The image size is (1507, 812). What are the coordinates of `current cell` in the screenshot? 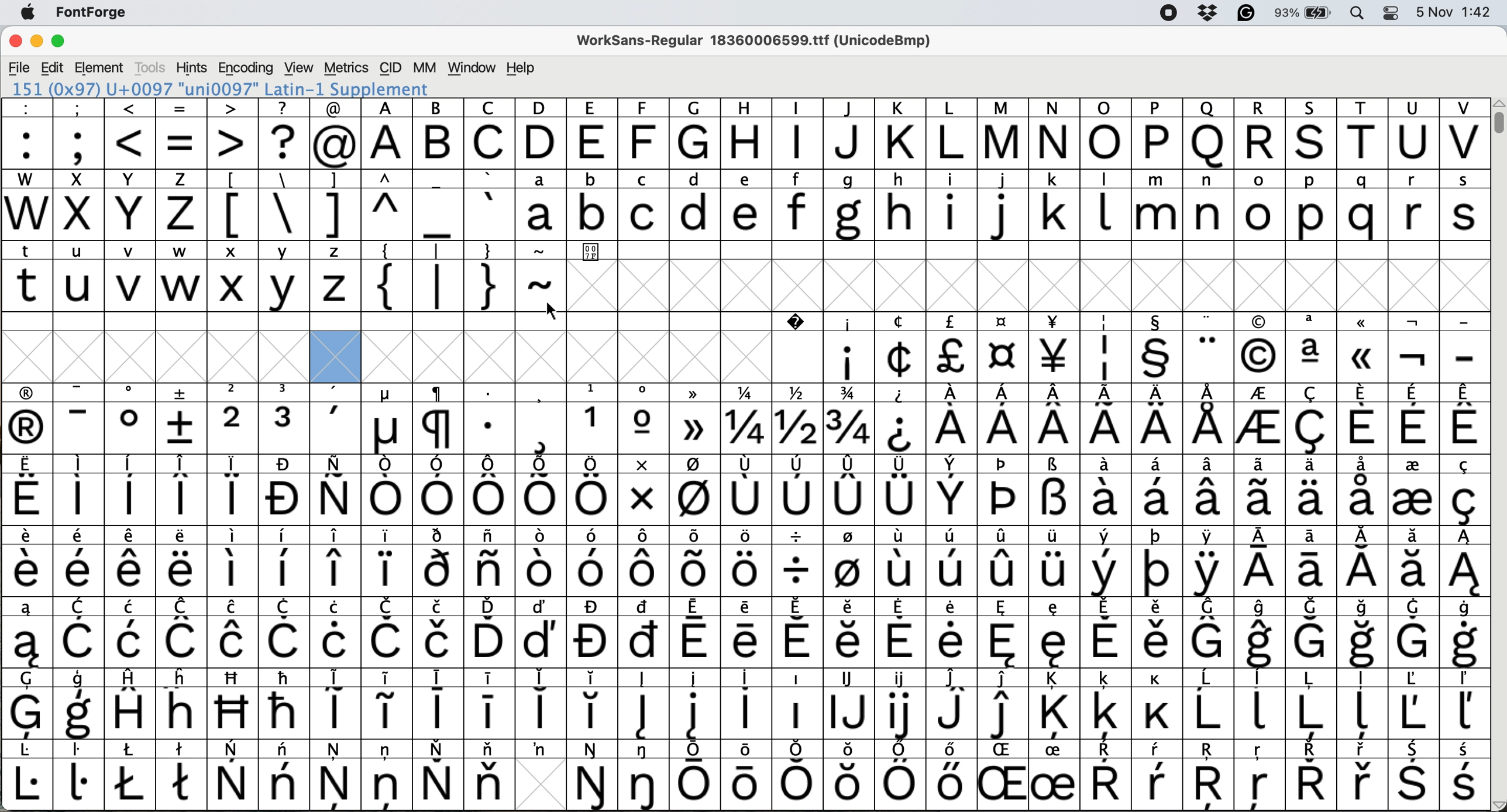 It's located at (336, 357).